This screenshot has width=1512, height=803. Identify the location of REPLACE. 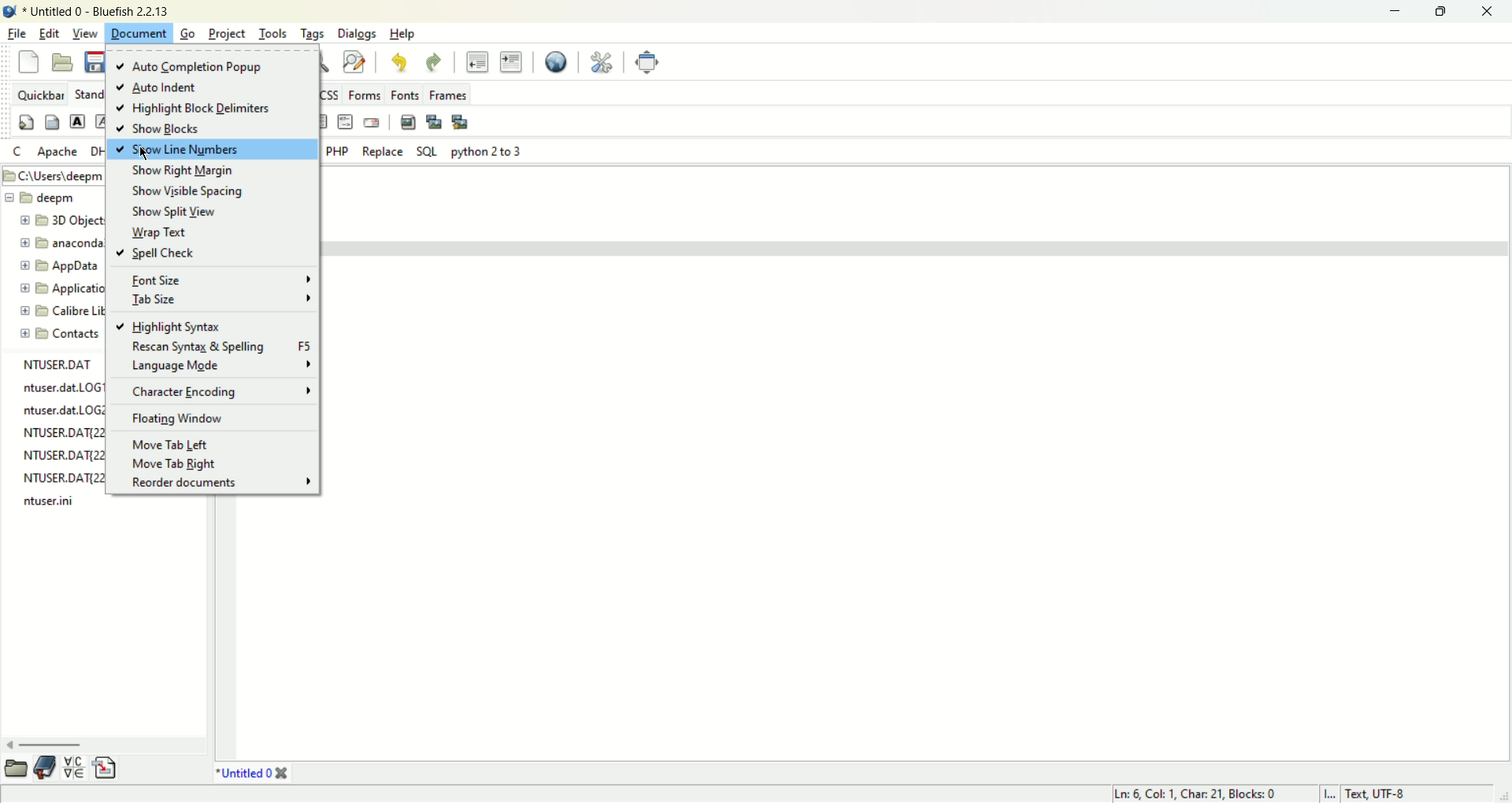
(383, 152).